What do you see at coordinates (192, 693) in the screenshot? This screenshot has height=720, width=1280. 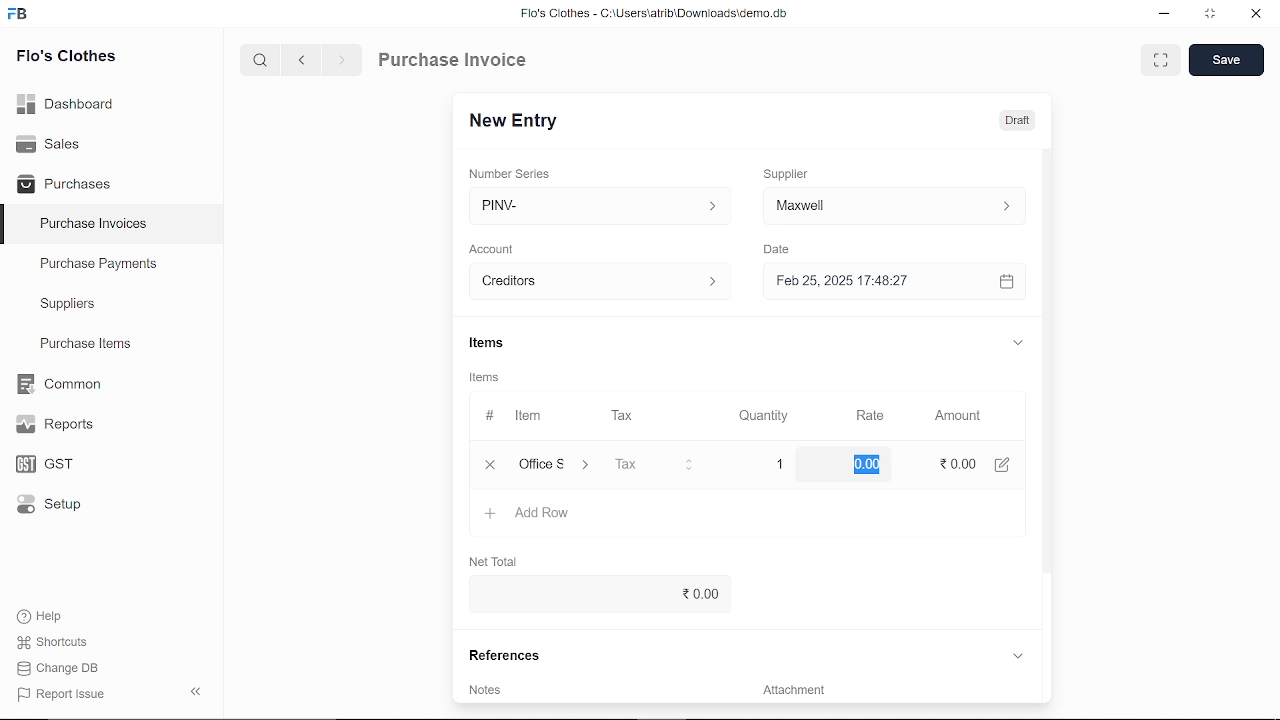 I see `hide` at bounding box center [192, 693].